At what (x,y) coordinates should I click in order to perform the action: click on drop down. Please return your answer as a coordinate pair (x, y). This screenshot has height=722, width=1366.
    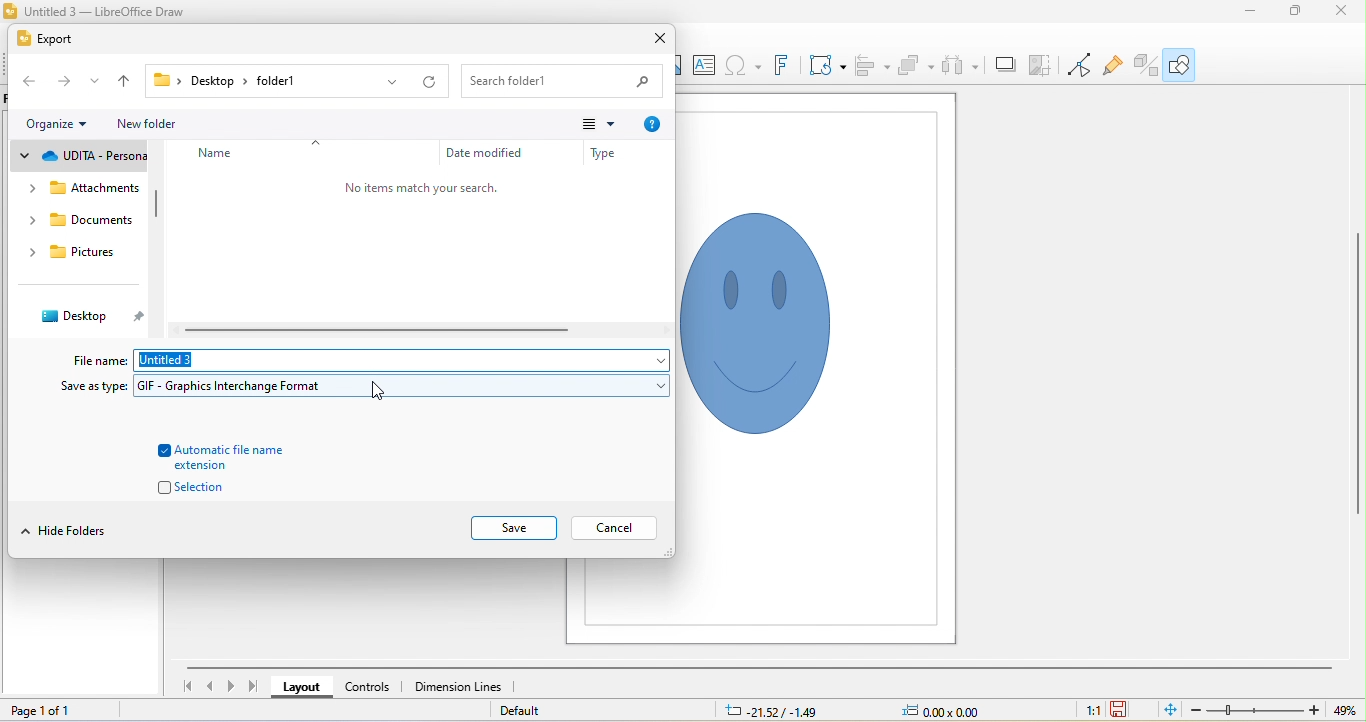
    Looking at the image, I should click on (25, 532).